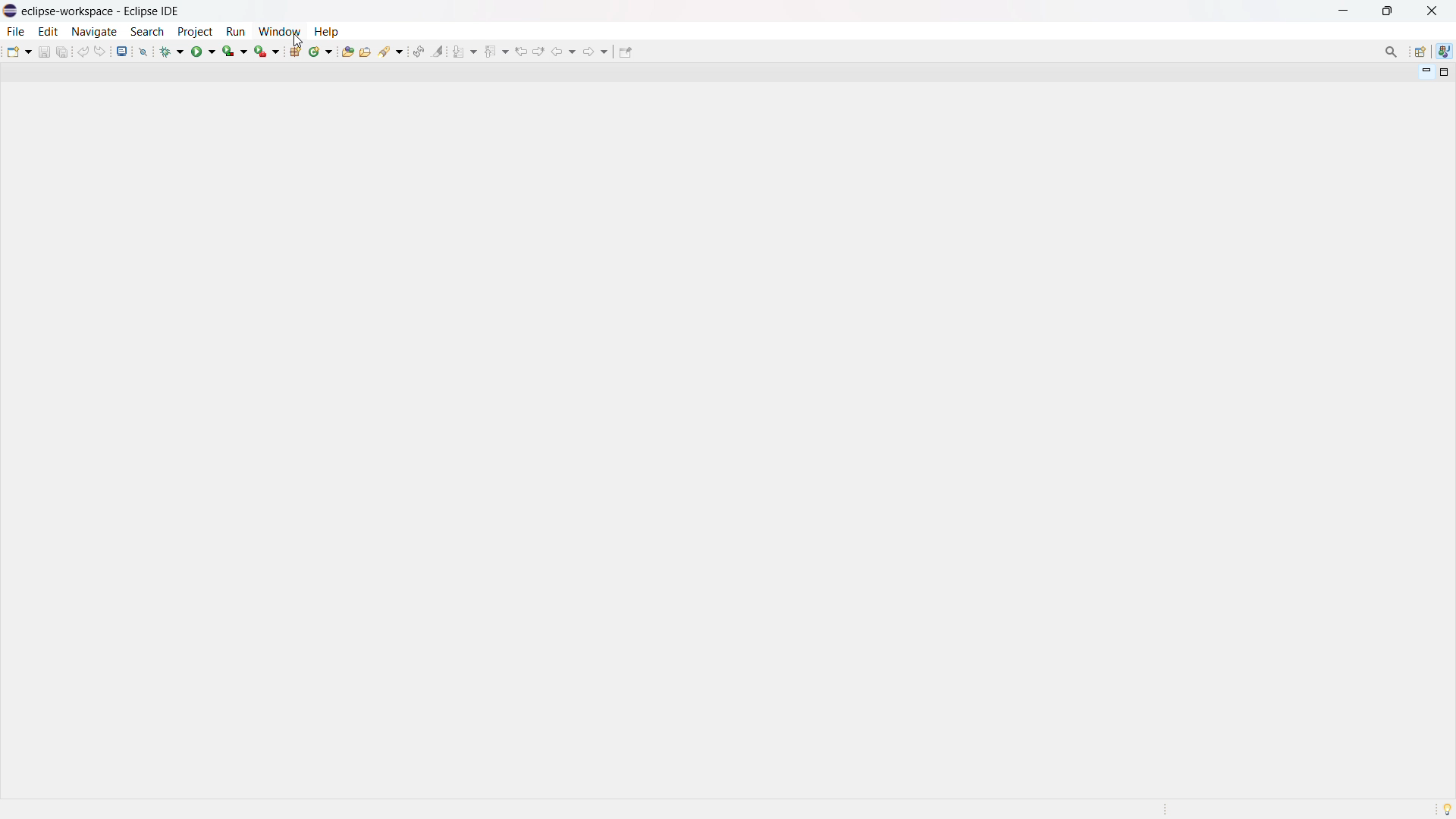 The image size is (1456, 819). Describe the element at coordinates (14, 31) in the screenshot. I see `file` at that location.